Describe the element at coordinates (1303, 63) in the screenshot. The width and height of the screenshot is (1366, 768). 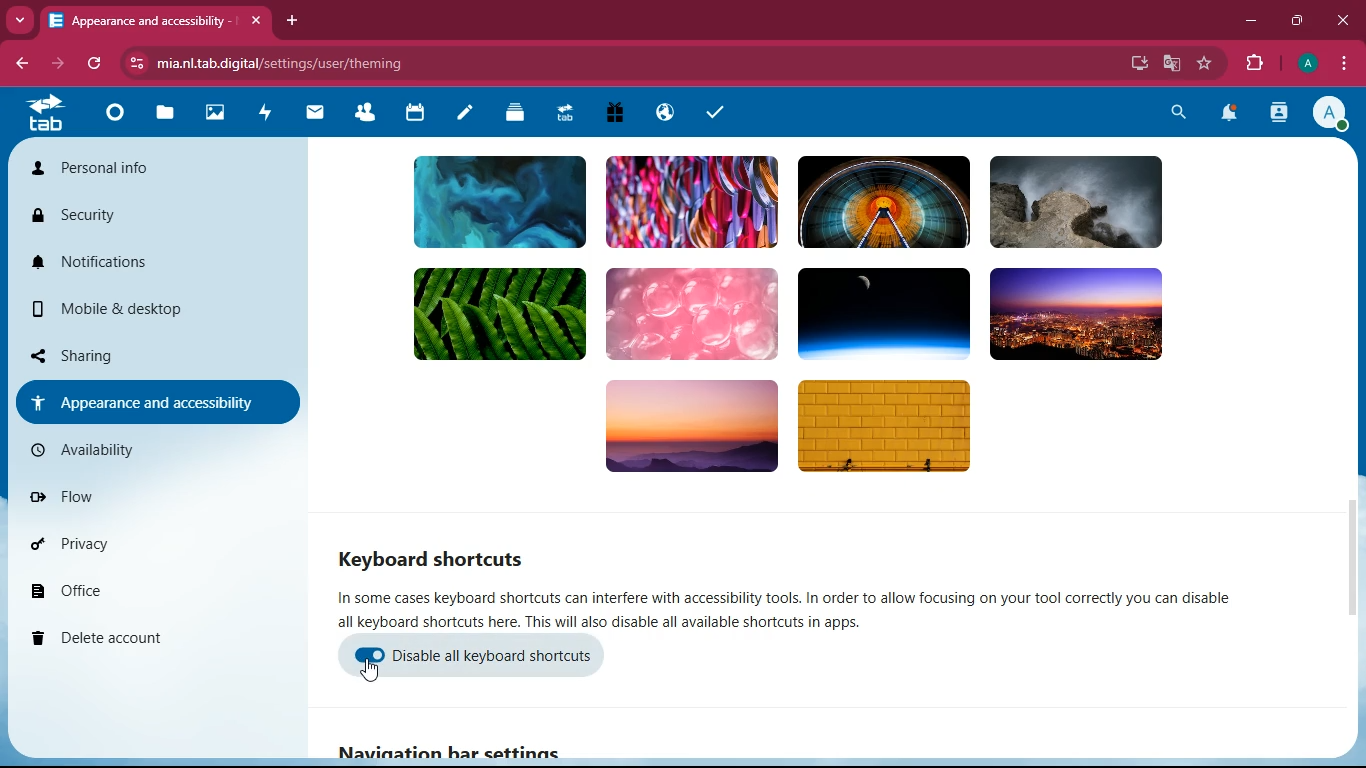
I see `profile` at that location.